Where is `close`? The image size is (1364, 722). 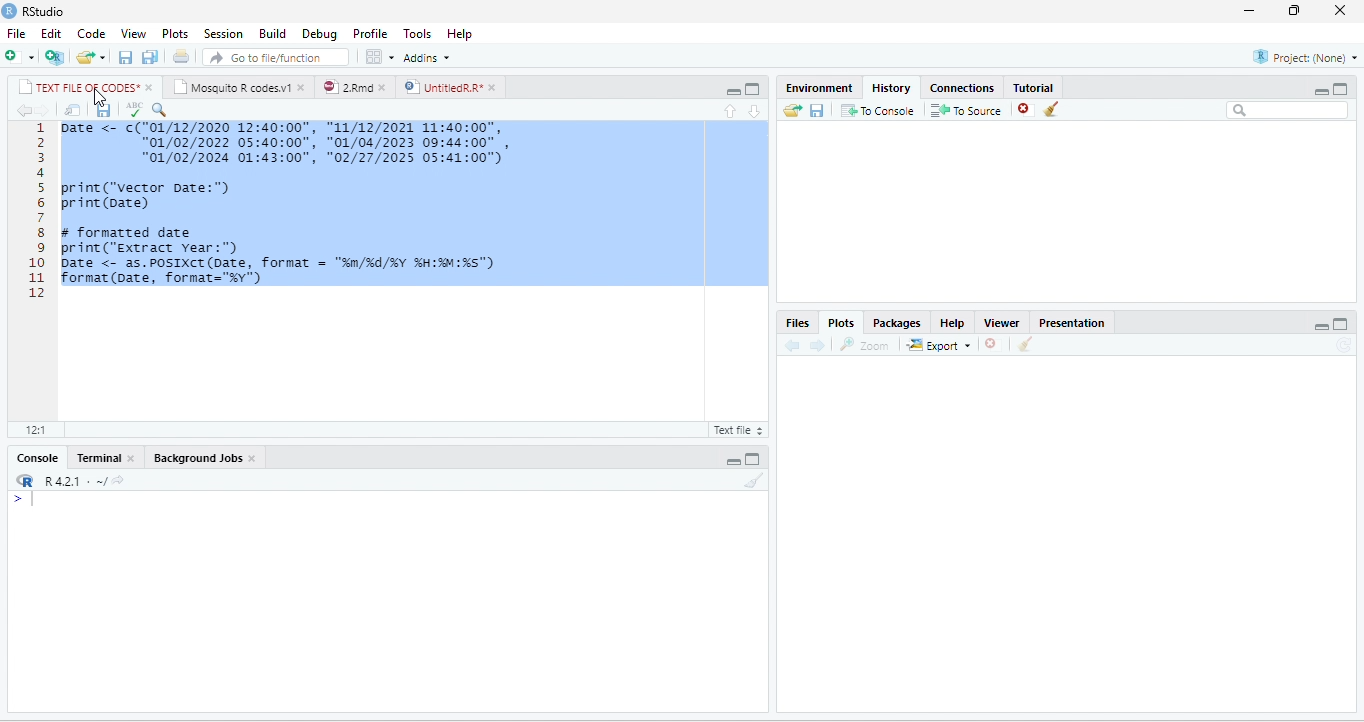
close is located at coordinates (253, 458).